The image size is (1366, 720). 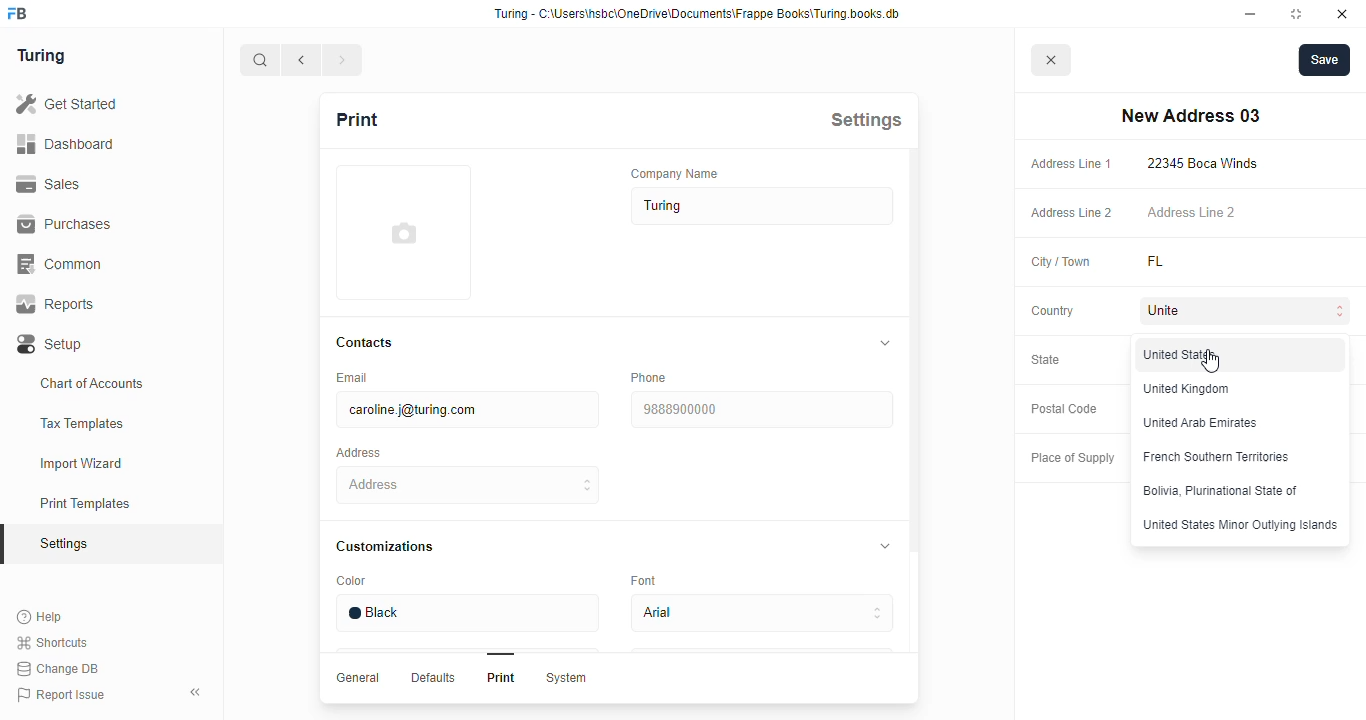 I want to click on image input field, so click(x=401, y=232).